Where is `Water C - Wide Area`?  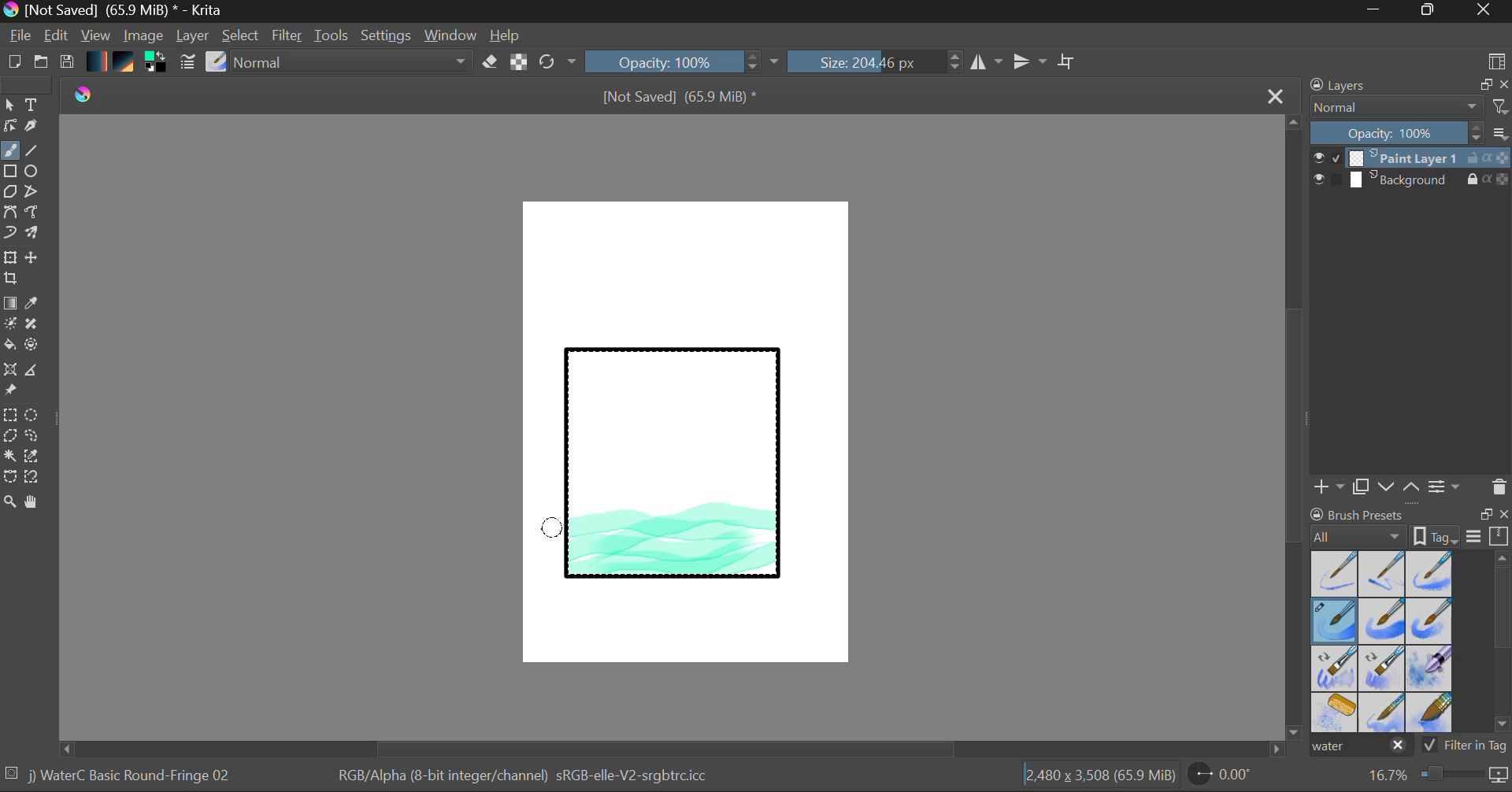 Water C - Wide Area is located at coordinates (1432, 713).